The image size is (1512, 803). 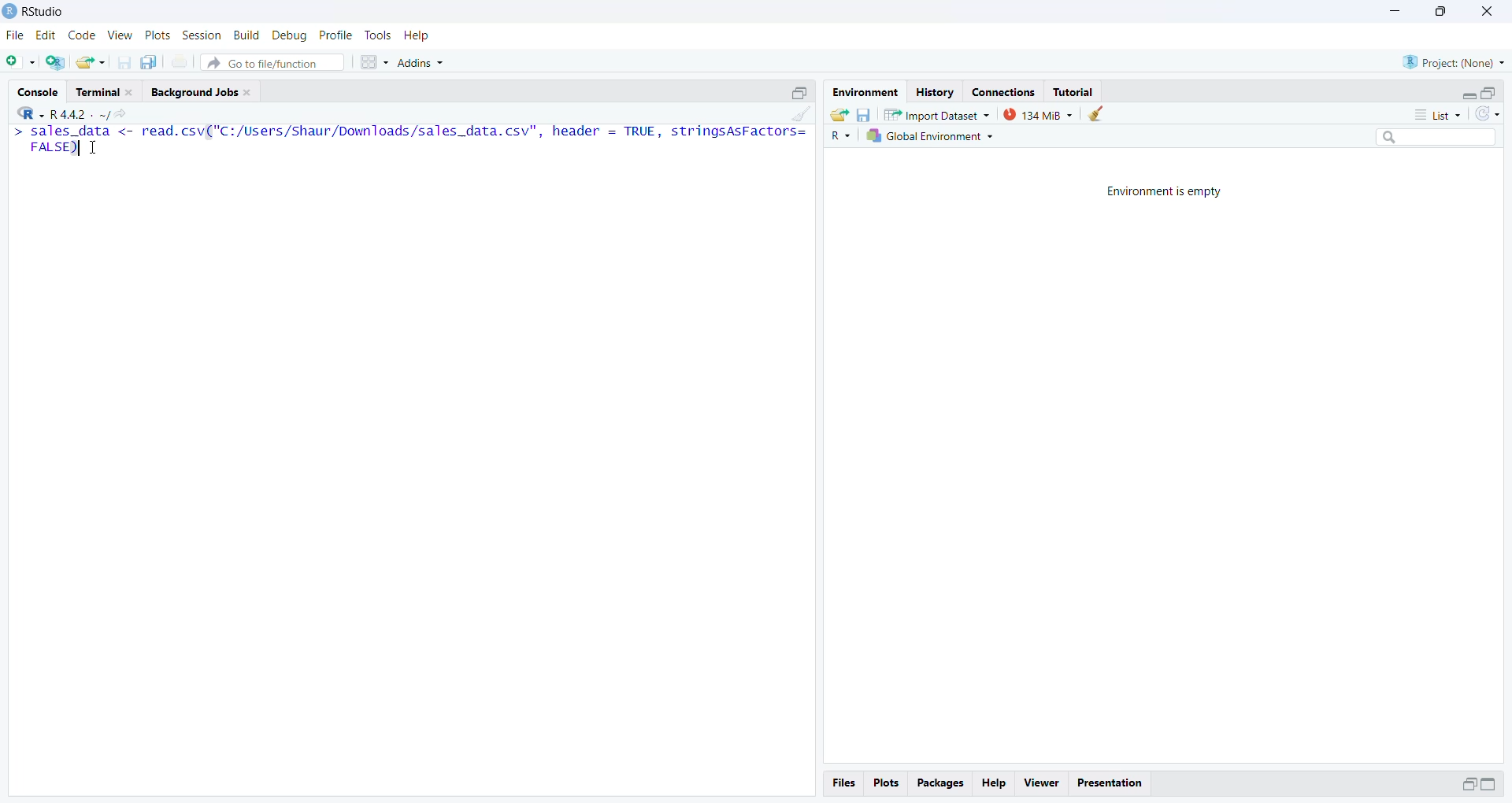 I want to click on Minimize, so click(x=1395, y=12).